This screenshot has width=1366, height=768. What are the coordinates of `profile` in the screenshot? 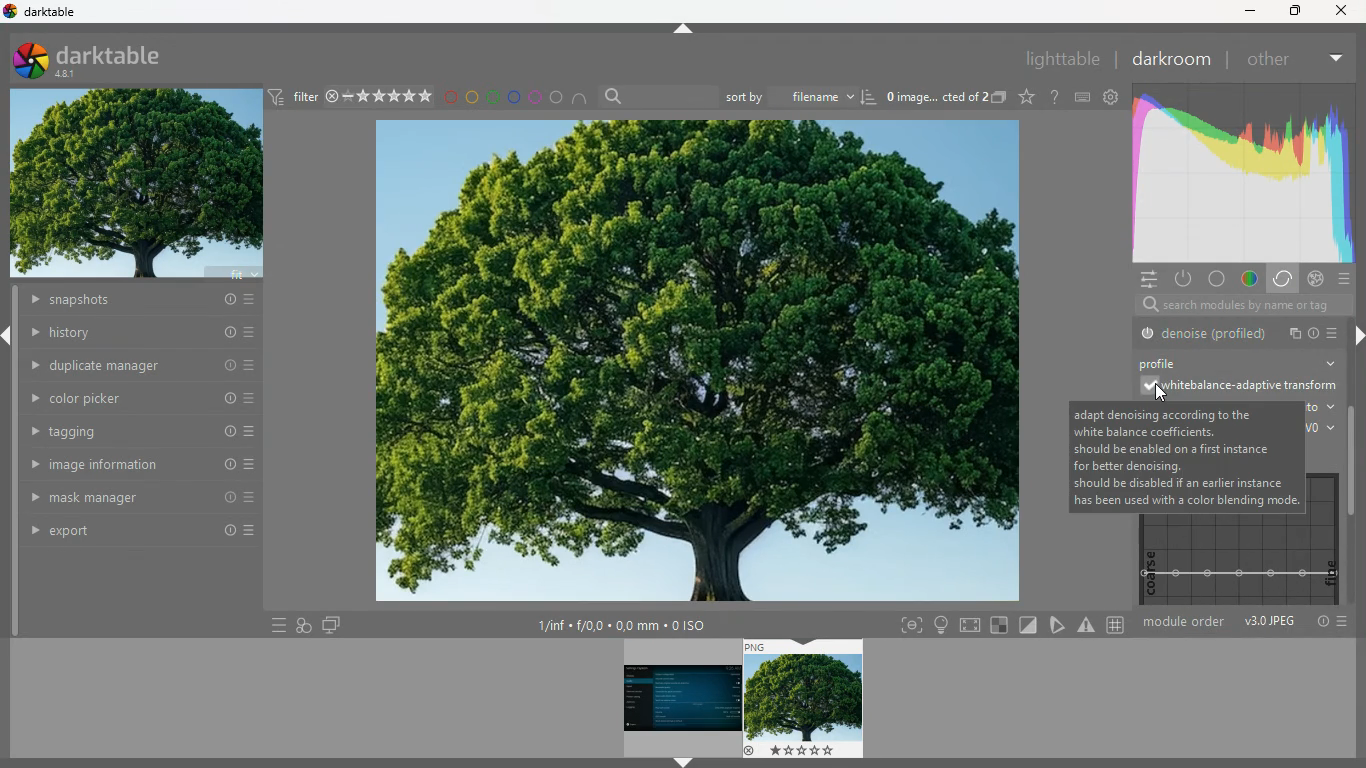 It's located at (1174, 363).